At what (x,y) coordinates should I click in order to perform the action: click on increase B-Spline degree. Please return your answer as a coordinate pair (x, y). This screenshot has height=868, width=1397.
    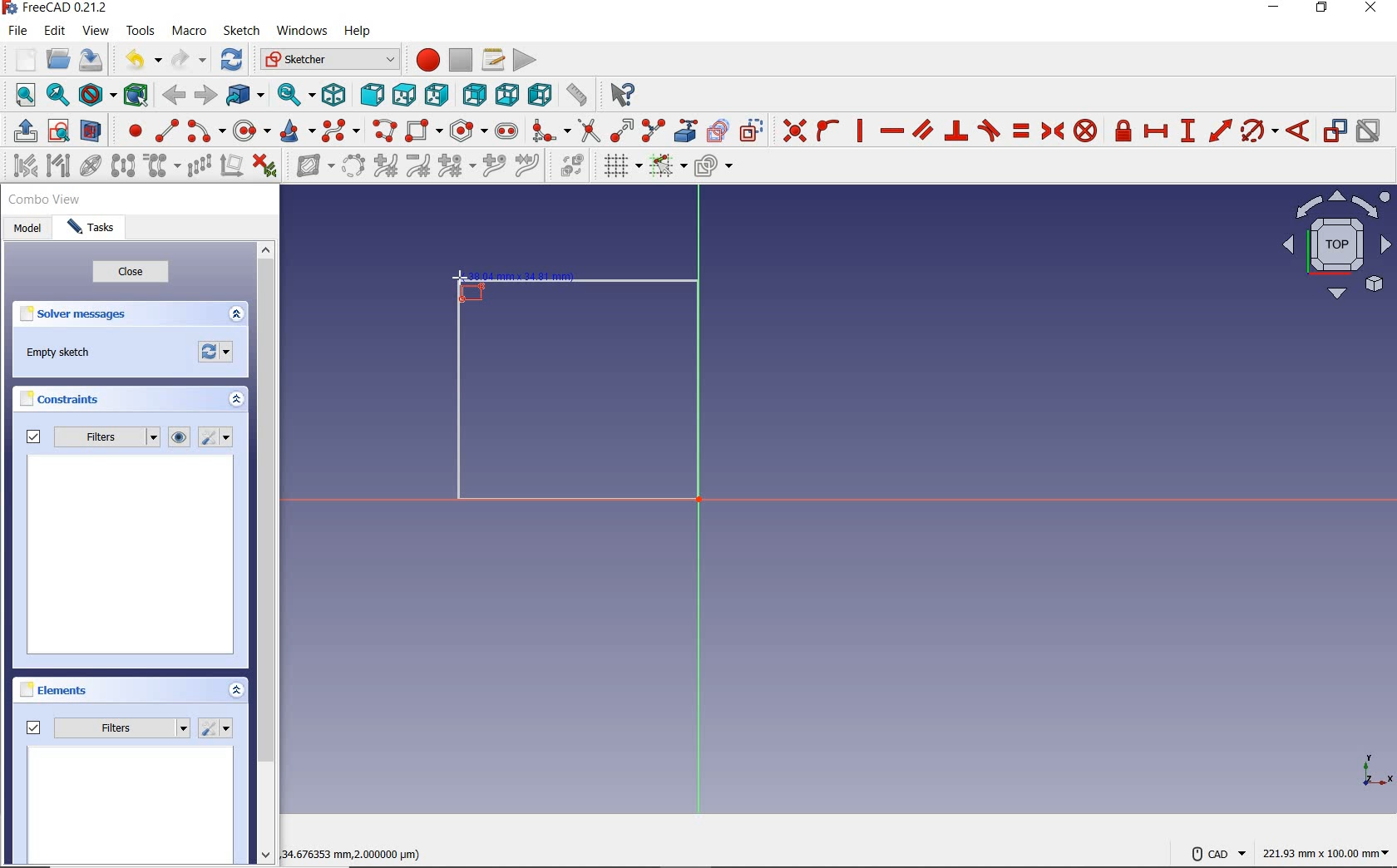
    Looking at the image, I should click on (385, 167).